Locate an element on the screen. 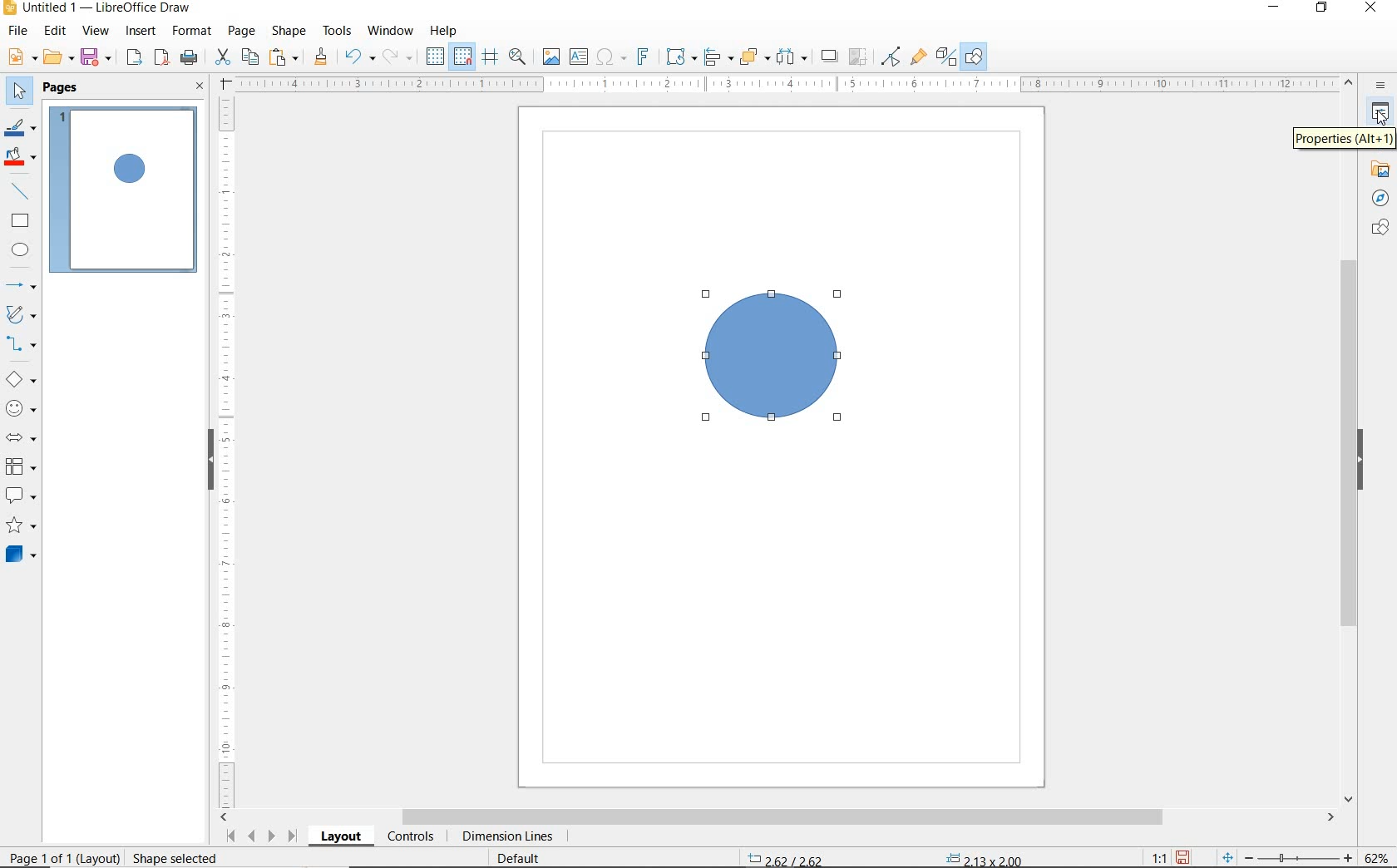  CLOSE is located at coordinates (1371, 10).